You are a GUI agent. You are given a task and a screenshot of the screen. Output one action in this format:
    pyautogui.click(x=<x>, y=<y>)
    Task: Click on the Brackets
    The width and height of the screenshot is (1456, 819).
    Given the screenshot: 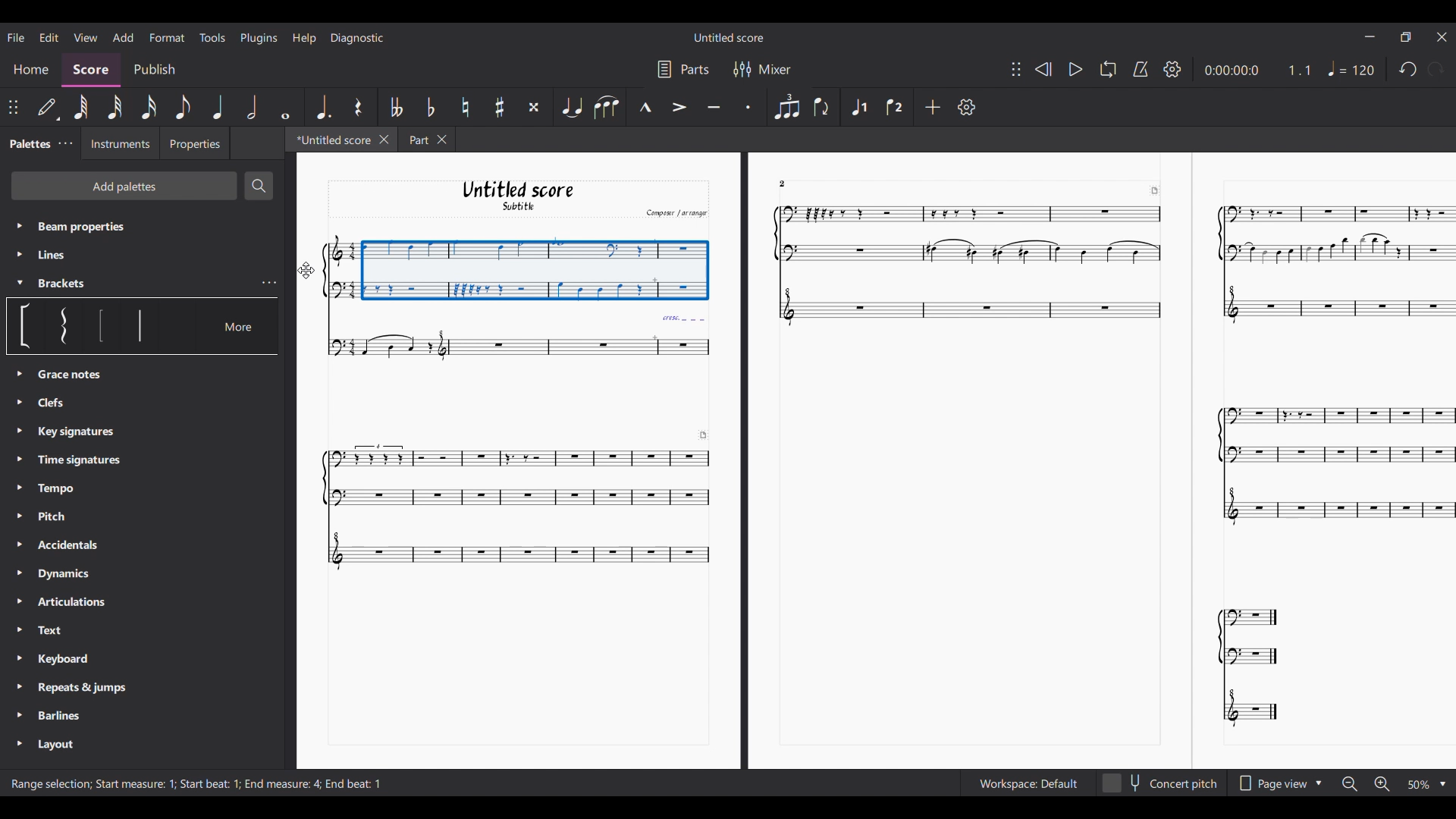 What is the action you would take?
    pyautogui.click(x=71, y=284)
    